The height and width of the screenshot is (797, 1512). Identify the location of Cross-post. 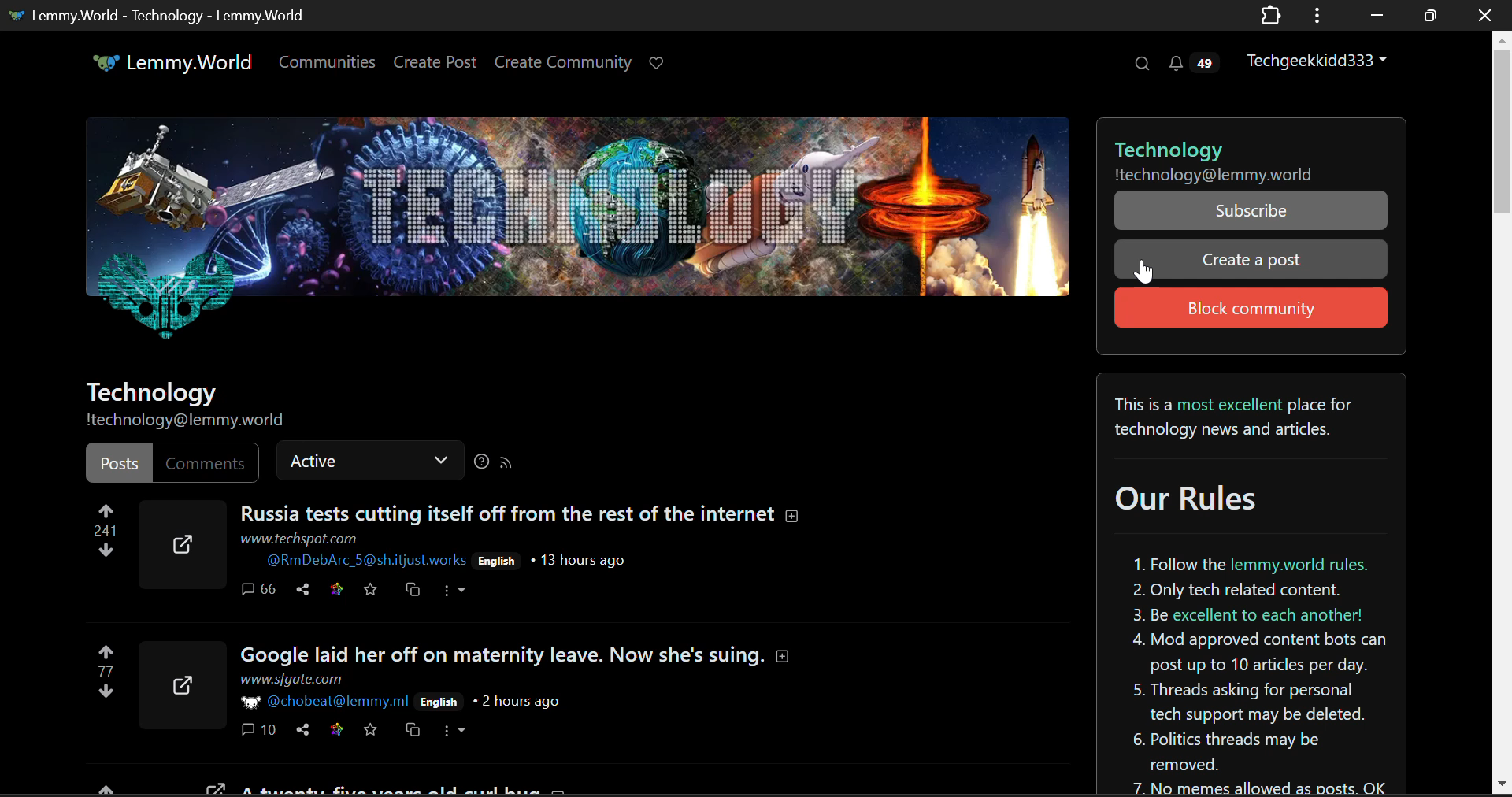
(410, 731).